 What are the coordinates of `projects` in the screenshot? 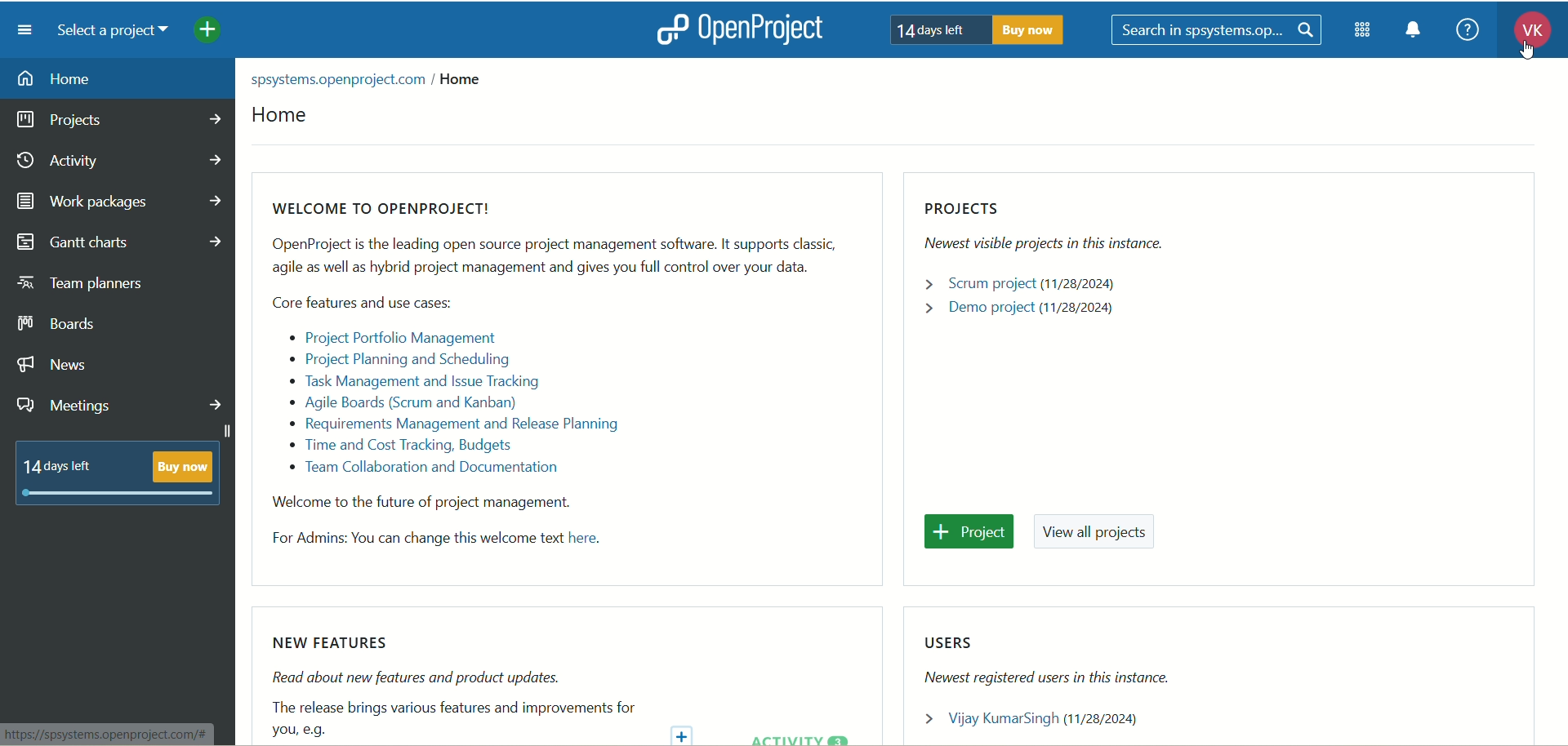 It's located at (118, 122).